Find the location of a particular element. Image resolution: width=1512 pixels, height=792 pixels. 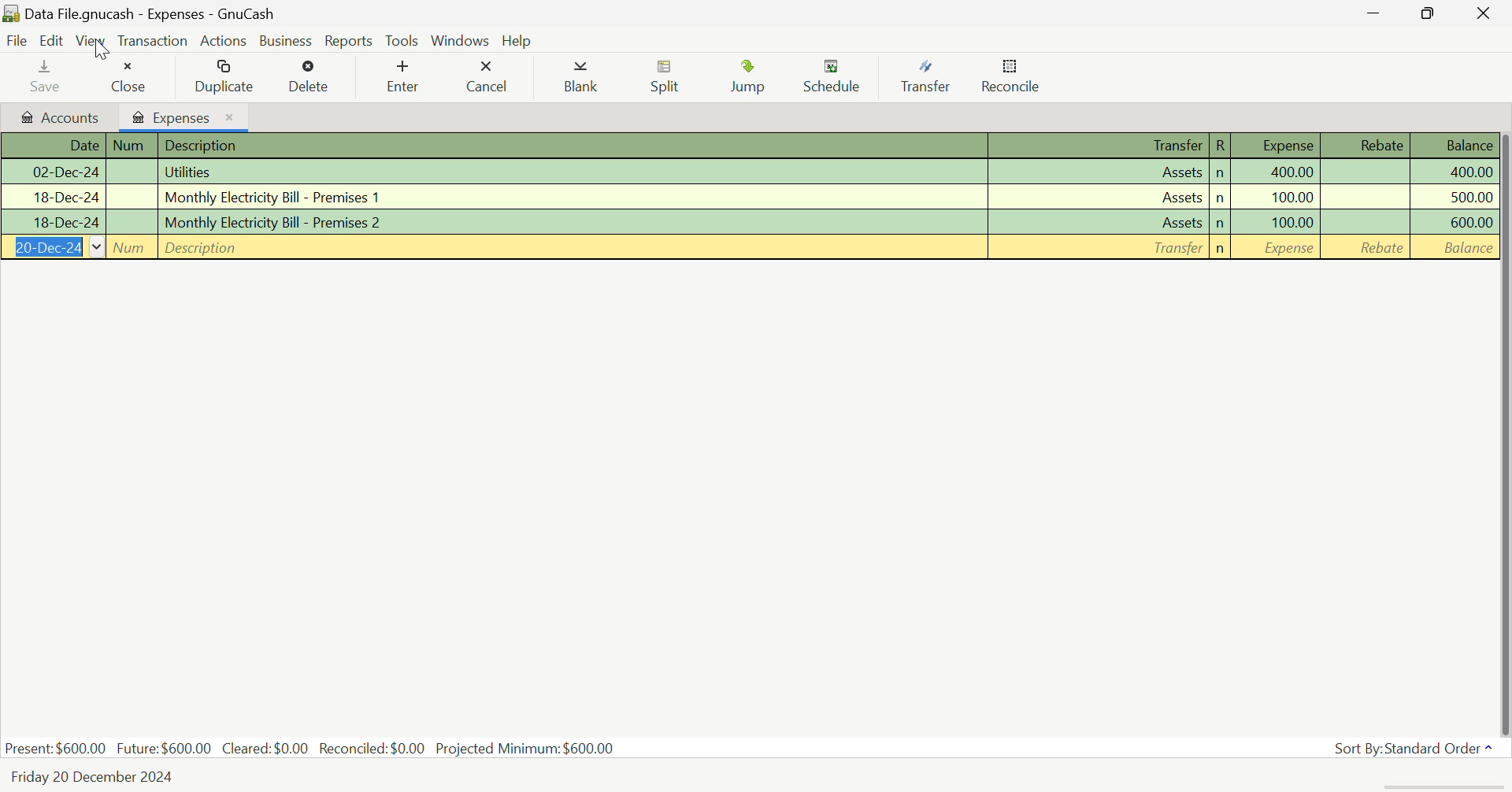

n is located at coordinates (1221, 198).